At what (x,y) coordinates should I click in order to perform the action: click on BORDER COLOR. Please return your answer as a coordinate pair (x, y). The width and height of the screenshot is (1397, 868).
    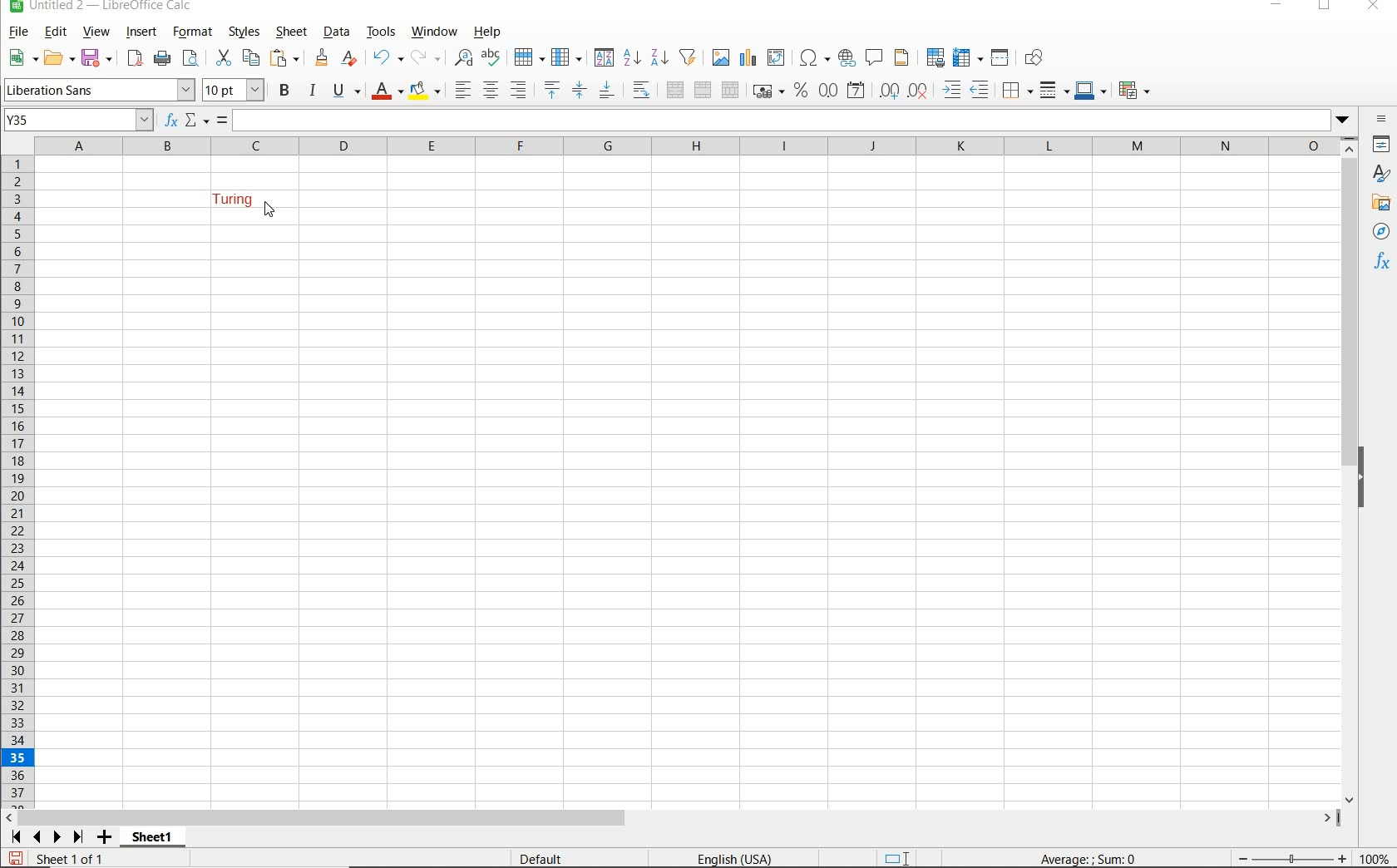
    Looking at the image, I should click on (1090, 90).